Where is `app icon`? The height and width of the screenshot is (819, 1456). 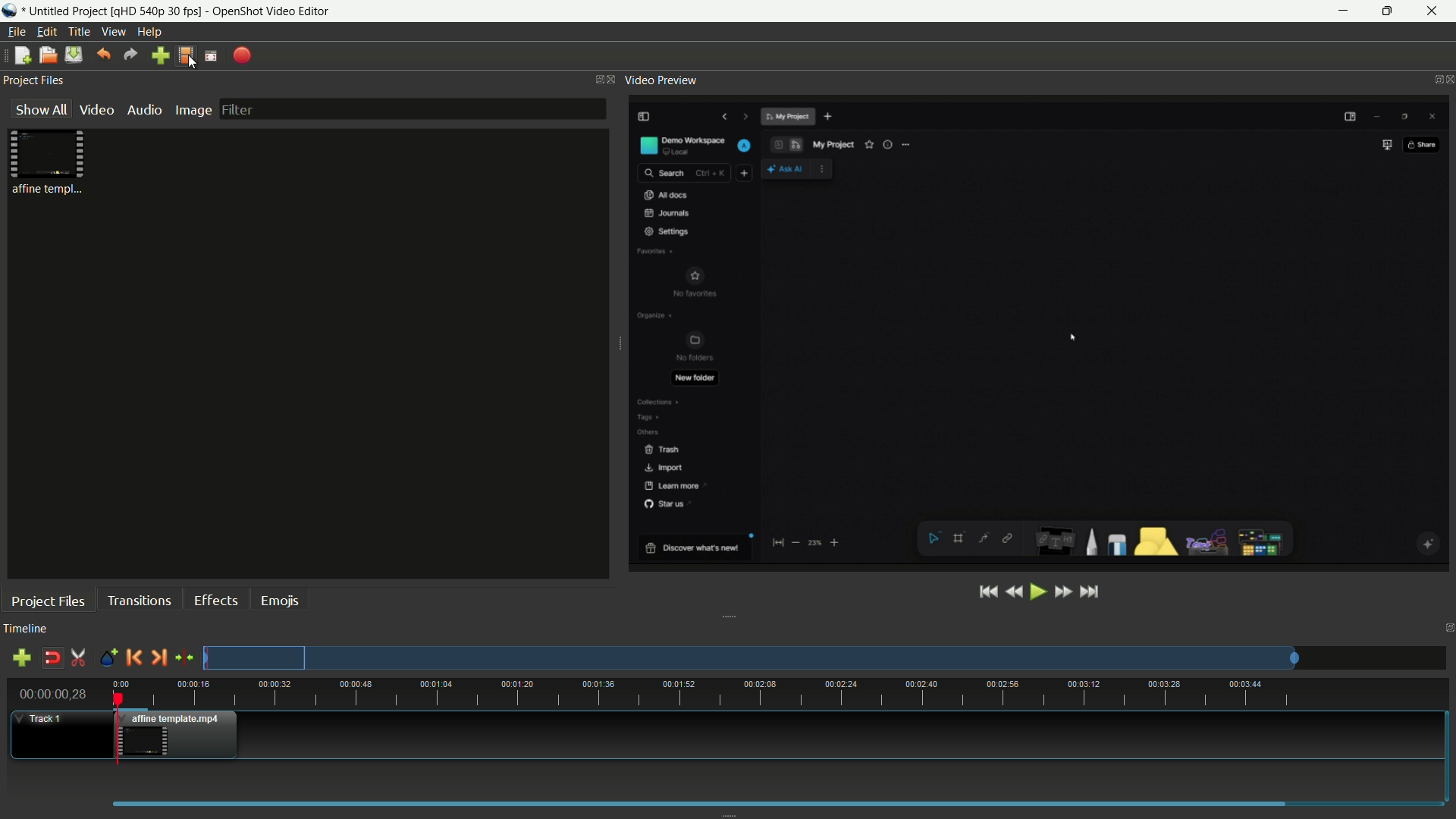
app icon is located at coordinates (9, 11).